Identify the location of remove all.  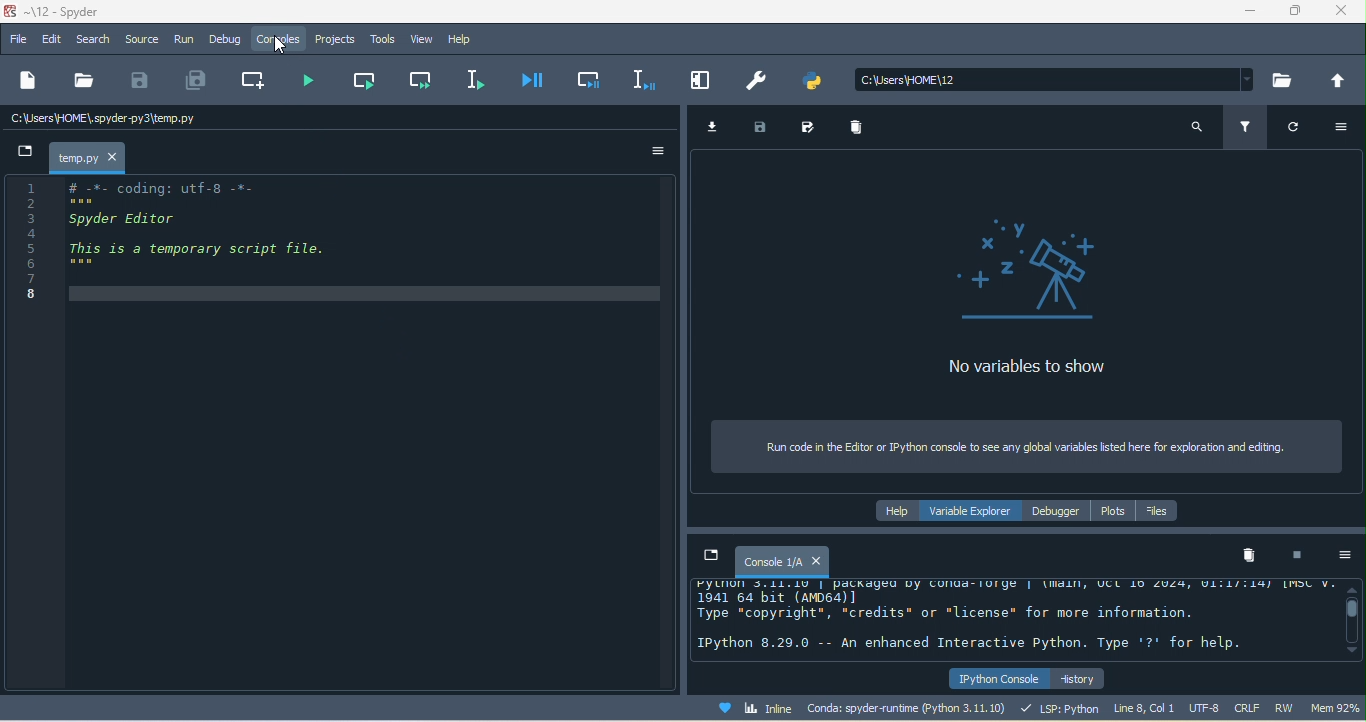
(1251, 558).